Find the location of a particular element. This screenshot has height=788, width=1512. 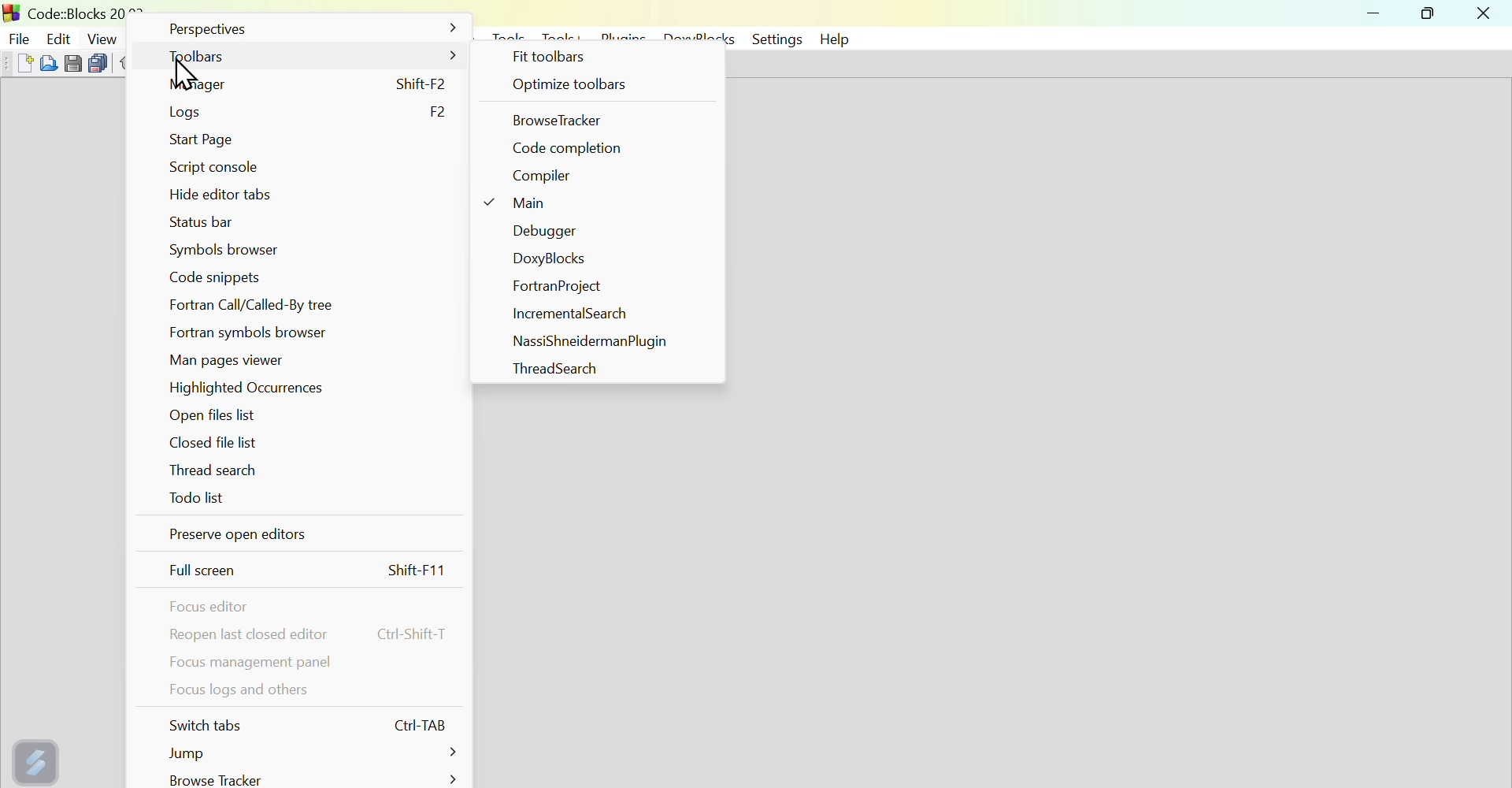

new is located at coordinates (16, 63).